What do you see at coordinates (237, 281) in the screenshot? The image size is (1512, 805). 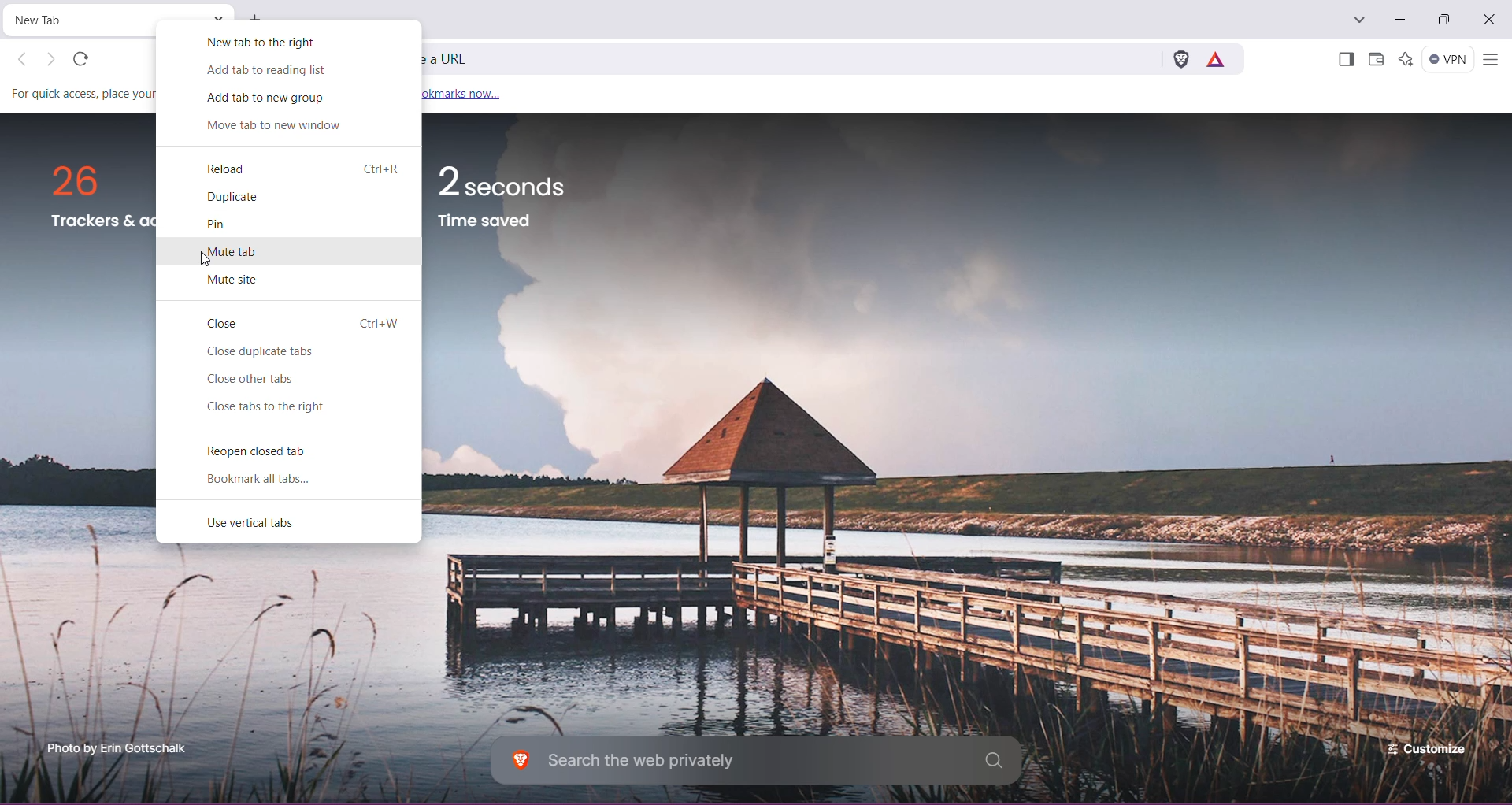 I see `Mute tab` at bounding box center [237, 281].